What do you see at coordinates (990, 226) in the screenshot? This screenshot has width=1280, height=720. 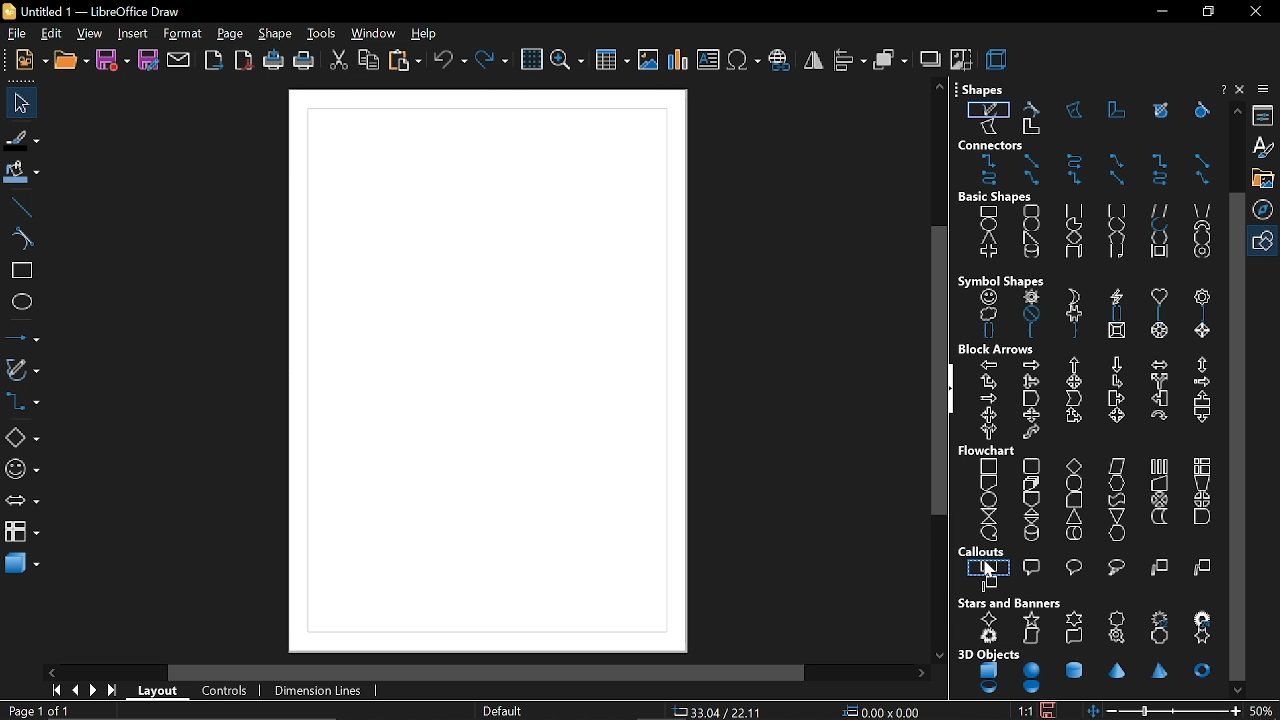 I see `ellipse` at bounding box center [990, 226].